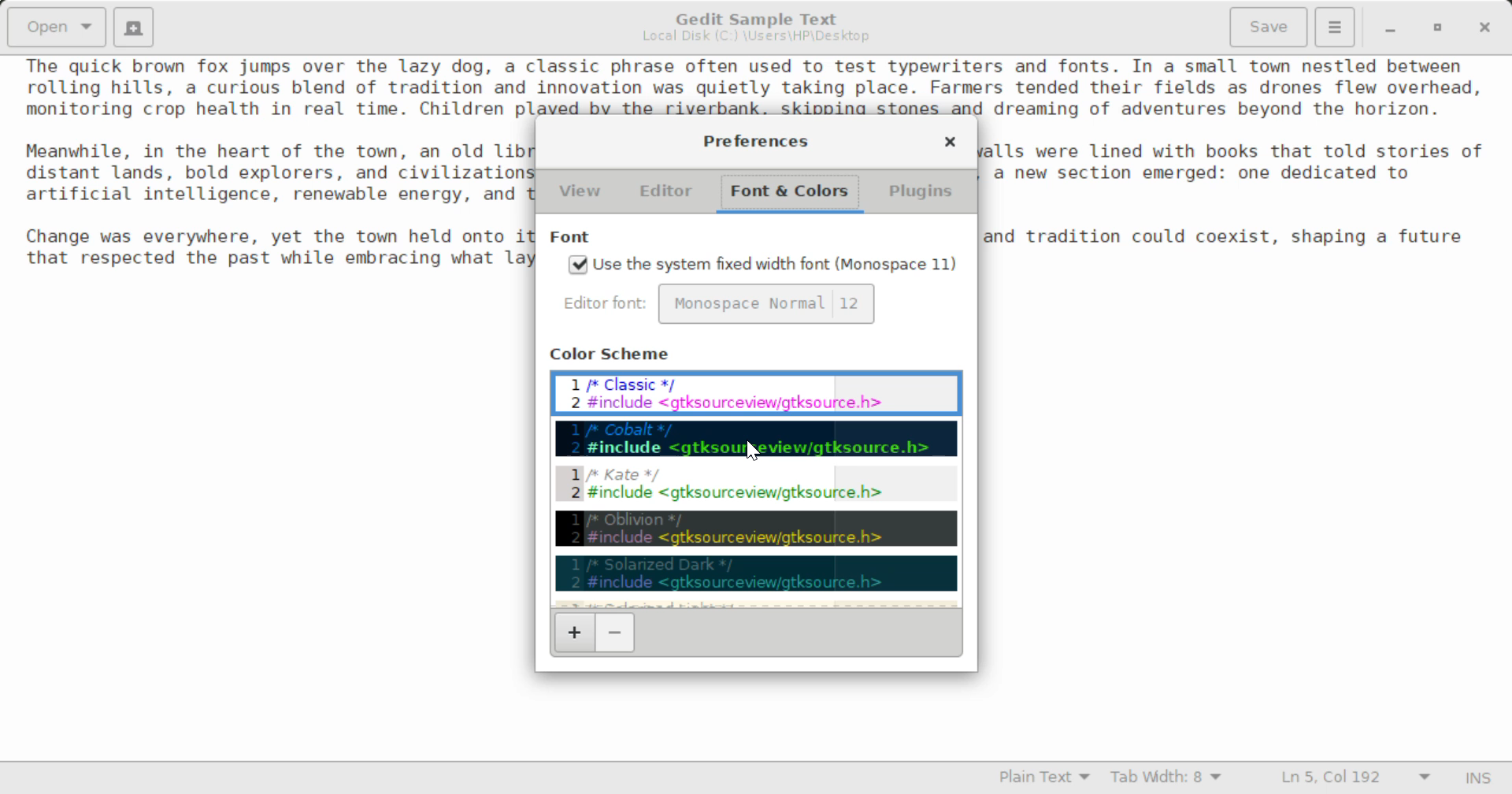 The height and width of the screenshot is (794, 1512). What do you see at coordinates (580, 193) in the screenshot?
I see `View Tab Selected` at bounding box center [580, 193].